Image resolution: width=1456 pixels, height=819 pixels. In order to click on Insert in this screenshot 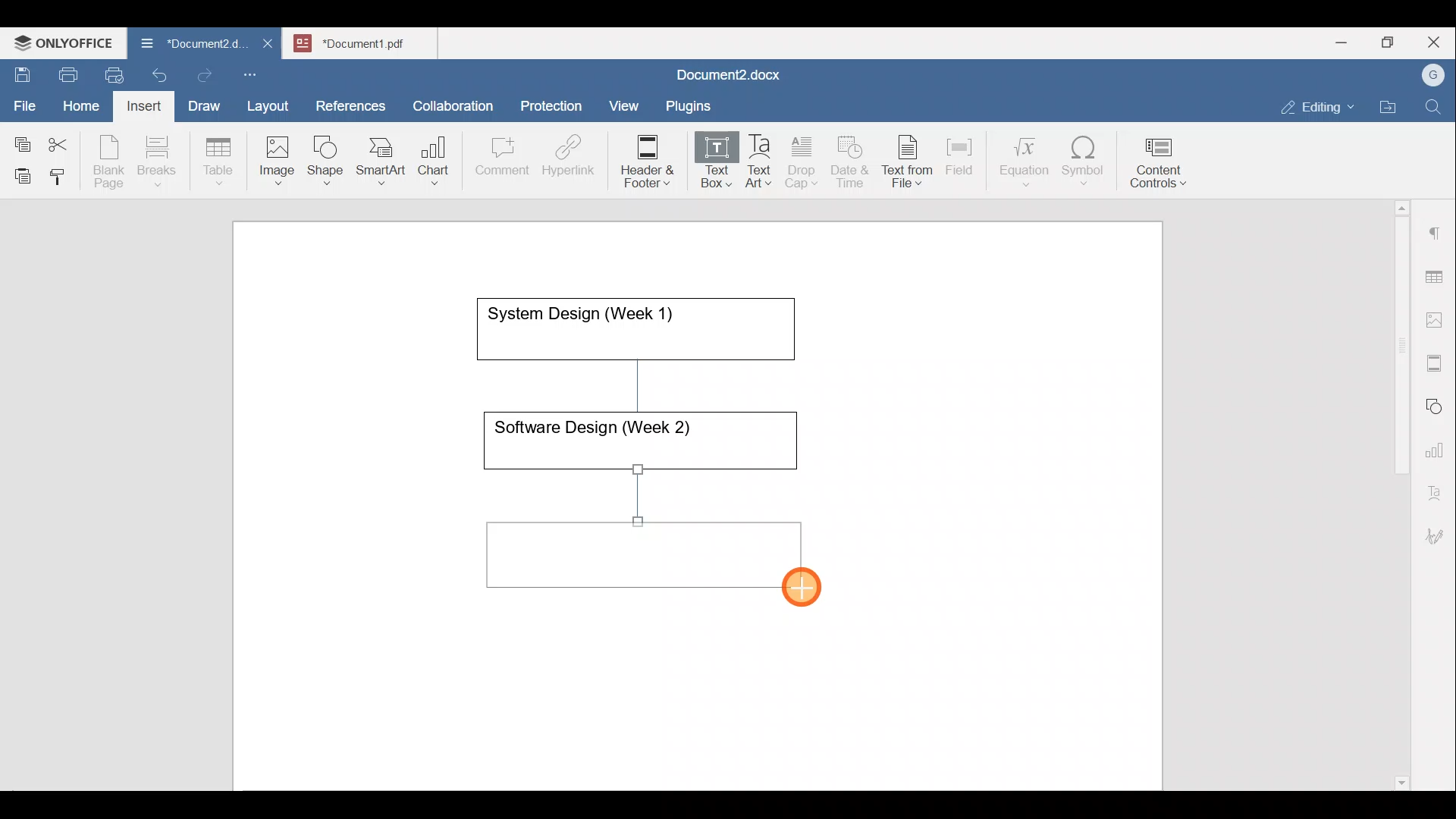, I will do `click(140, 103)`.